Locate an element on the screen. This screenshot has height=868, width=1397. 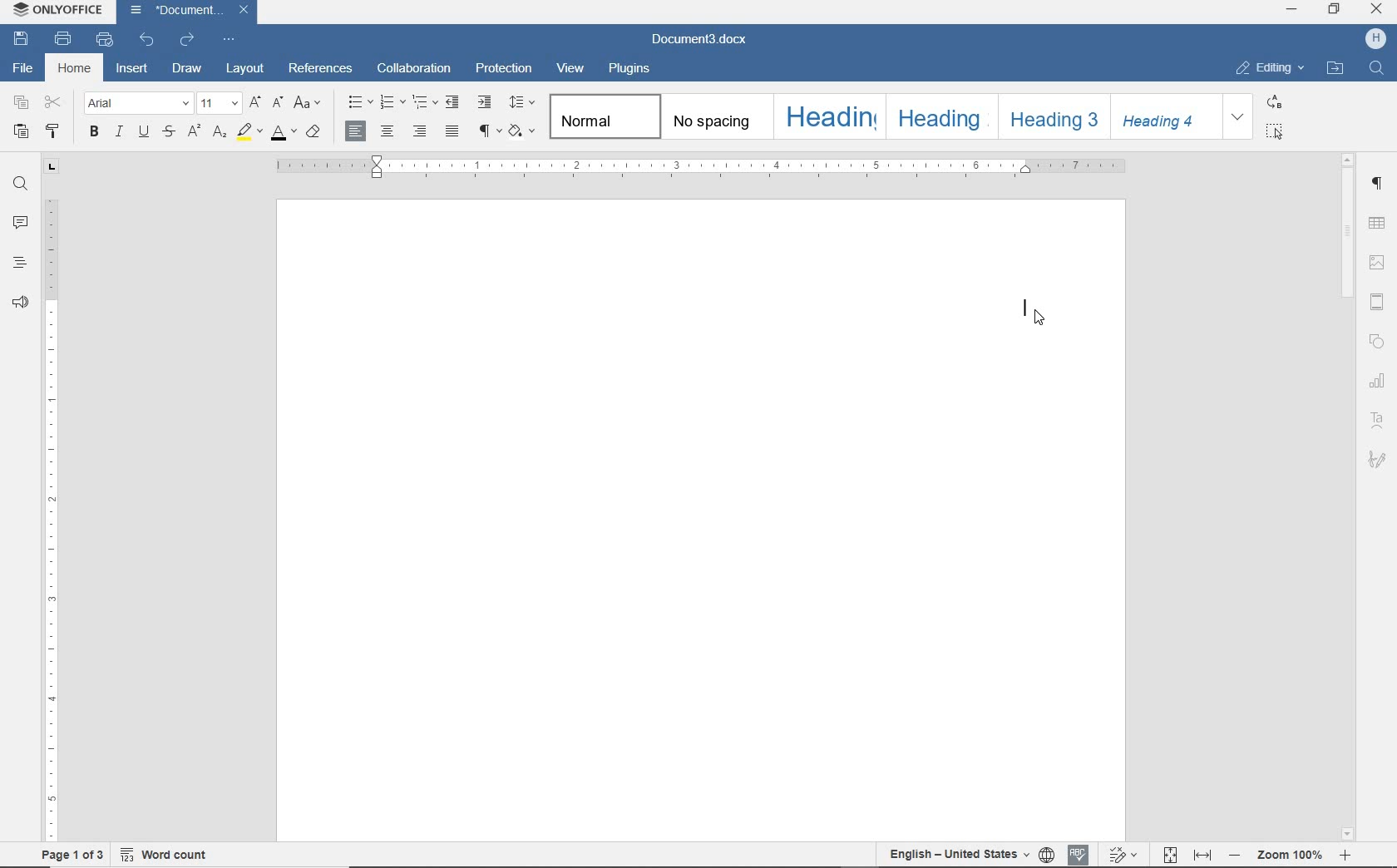
DOCUMENT3.docx is located at coordinates (701, 40).